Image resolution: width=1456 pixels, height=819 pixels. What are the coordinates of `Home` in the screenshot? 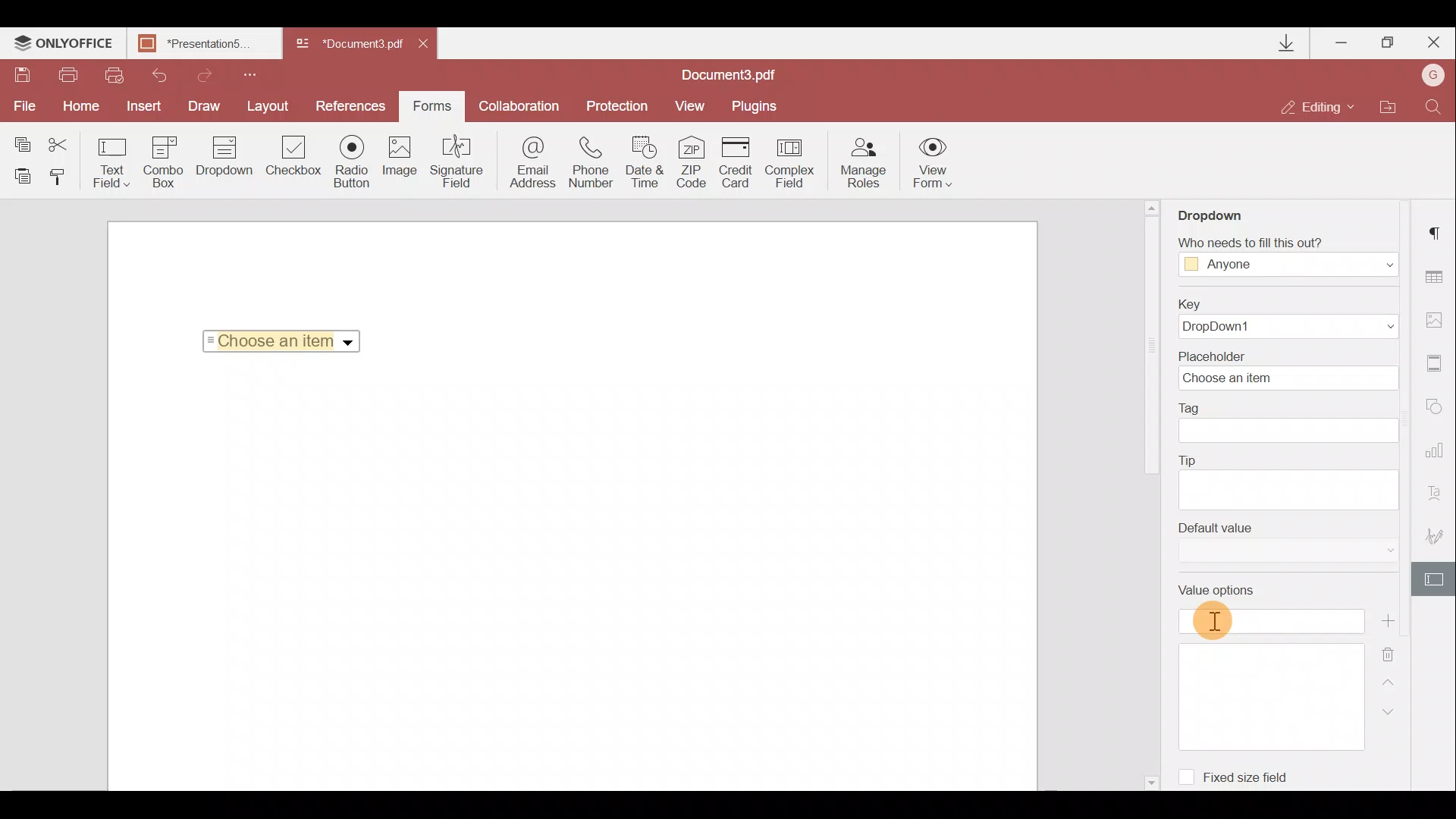 It's located at (78, 106).